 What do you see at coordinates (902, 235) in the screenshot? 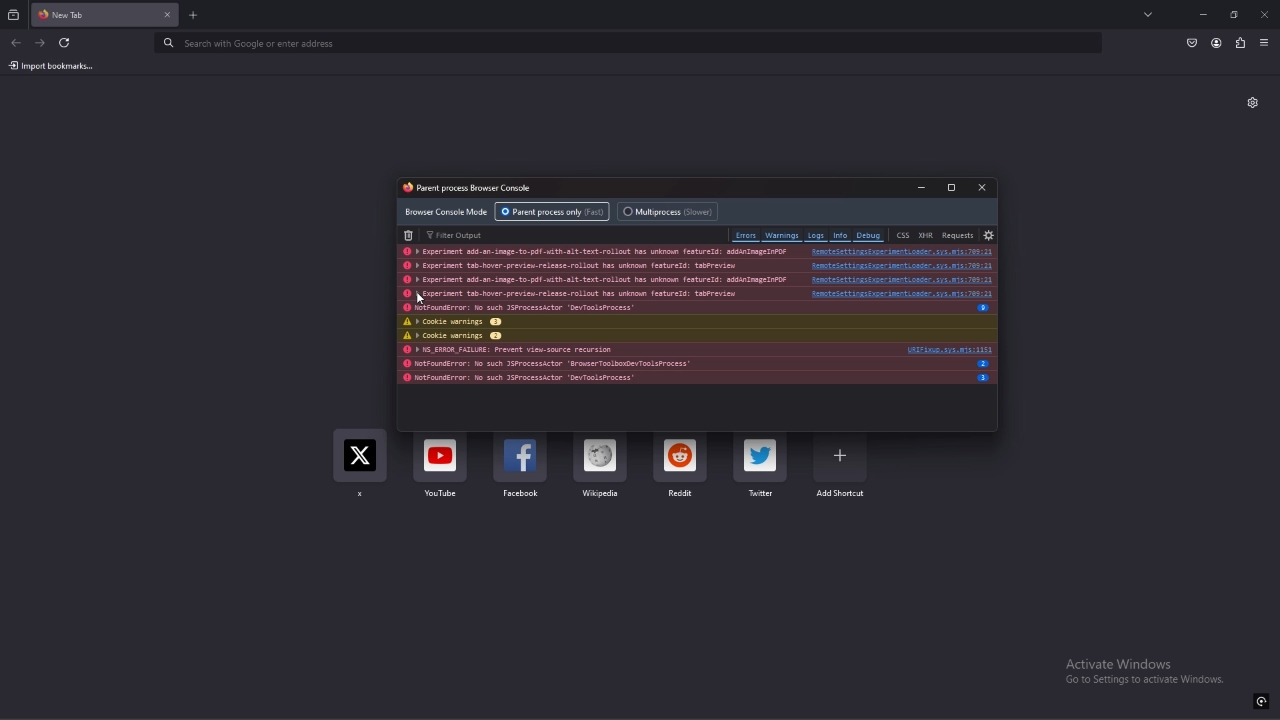
I see `css` at bounding box center [902, 235].